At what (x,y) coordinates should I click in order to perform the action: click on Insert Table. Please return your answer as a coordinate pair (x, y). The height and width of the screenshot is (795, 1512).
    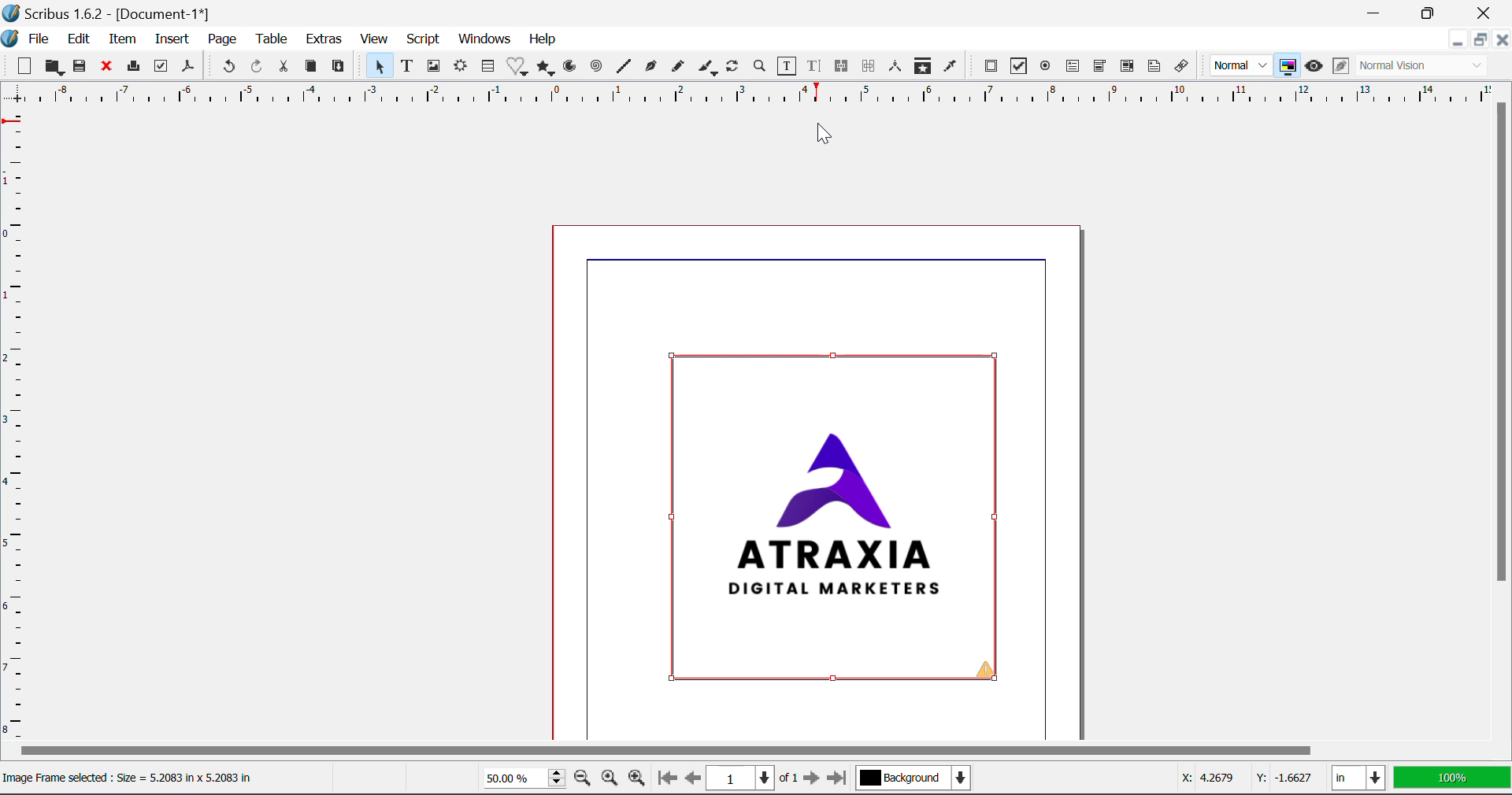
    Looking at the image, I should click on (490, 66).